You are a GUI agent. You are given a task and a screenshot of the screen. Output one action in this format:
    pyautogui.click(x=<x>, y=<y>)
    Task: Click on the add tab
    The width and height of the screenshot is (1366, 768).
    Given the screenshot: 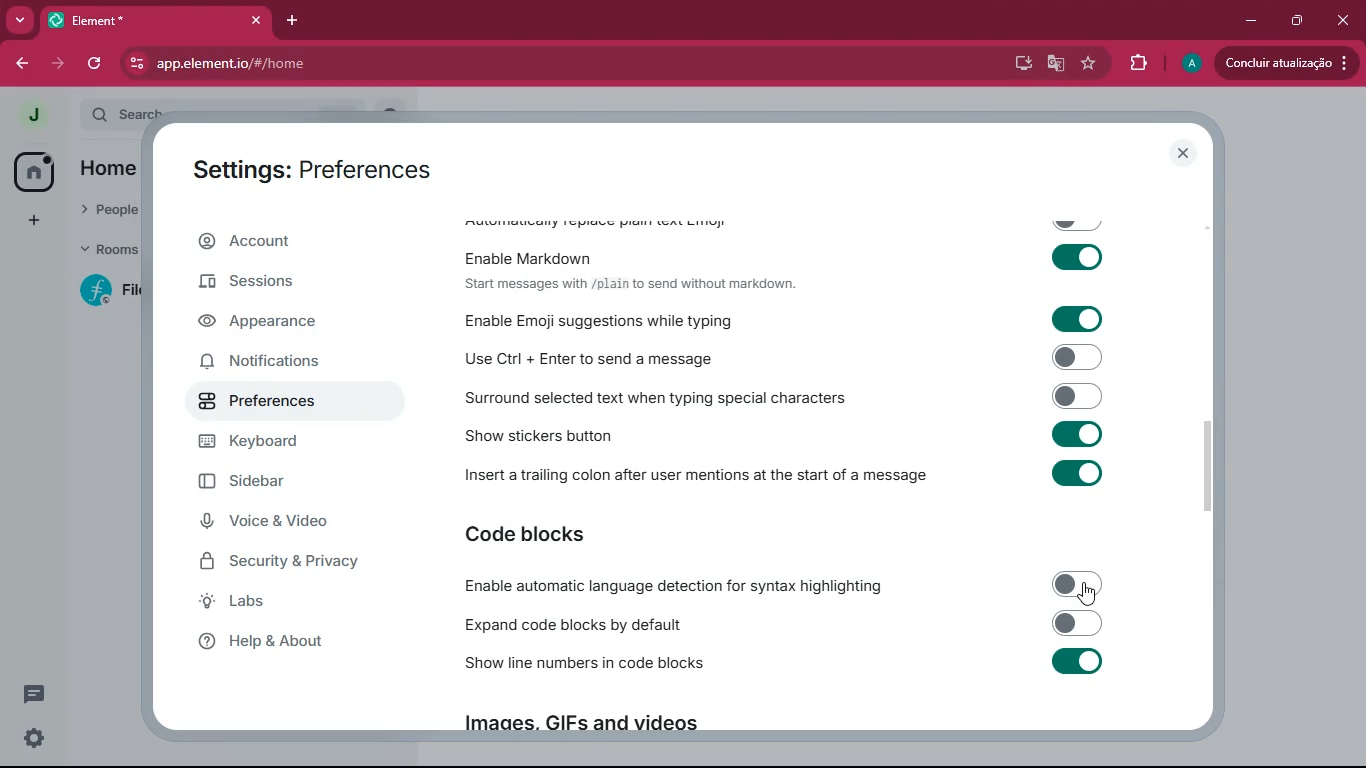 What is the action you would take?
    pyautogui.click(x=291, y=20)
    